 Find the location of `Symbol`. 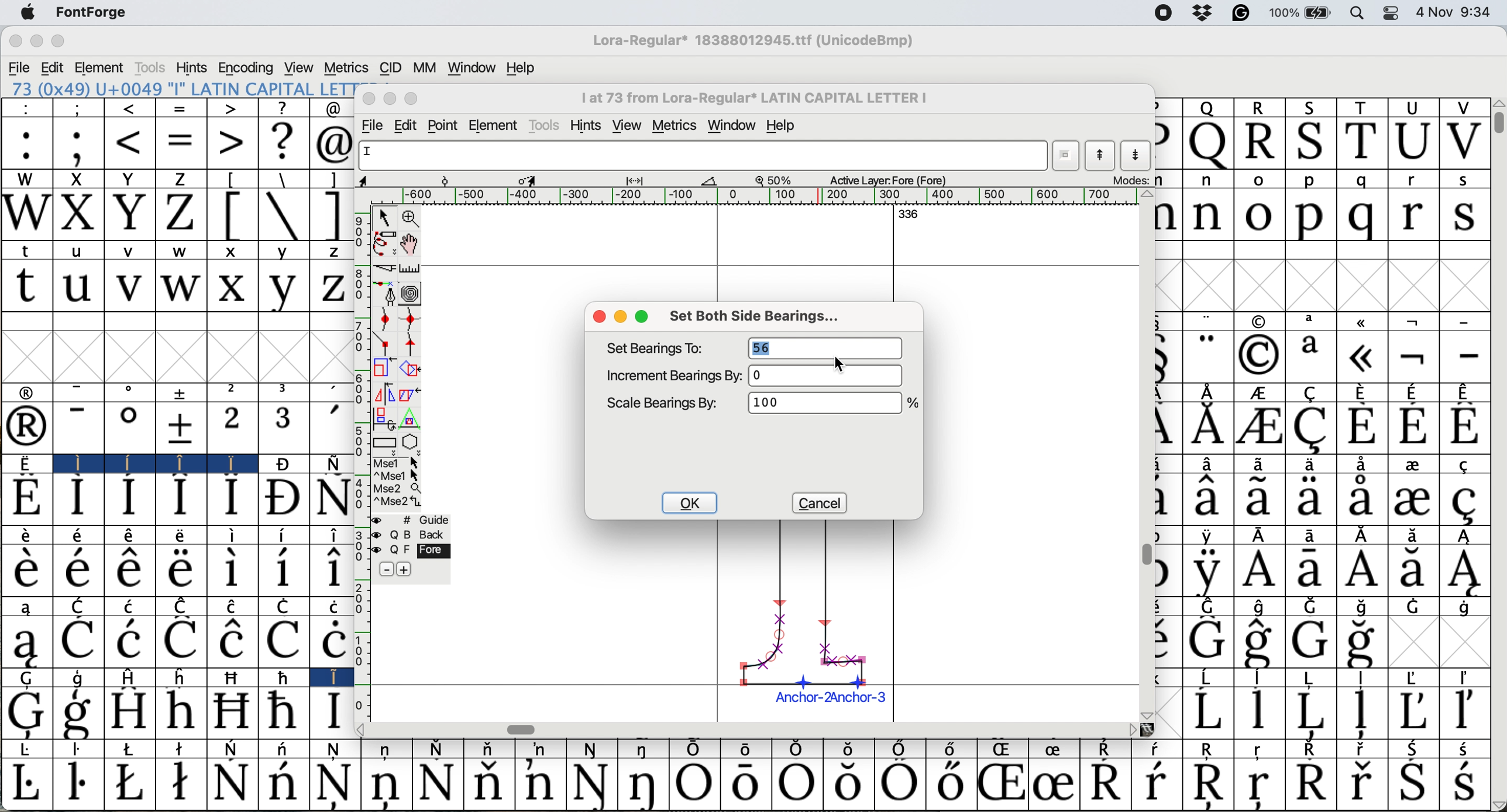

Symbol is located at coordinates (1466, 607).